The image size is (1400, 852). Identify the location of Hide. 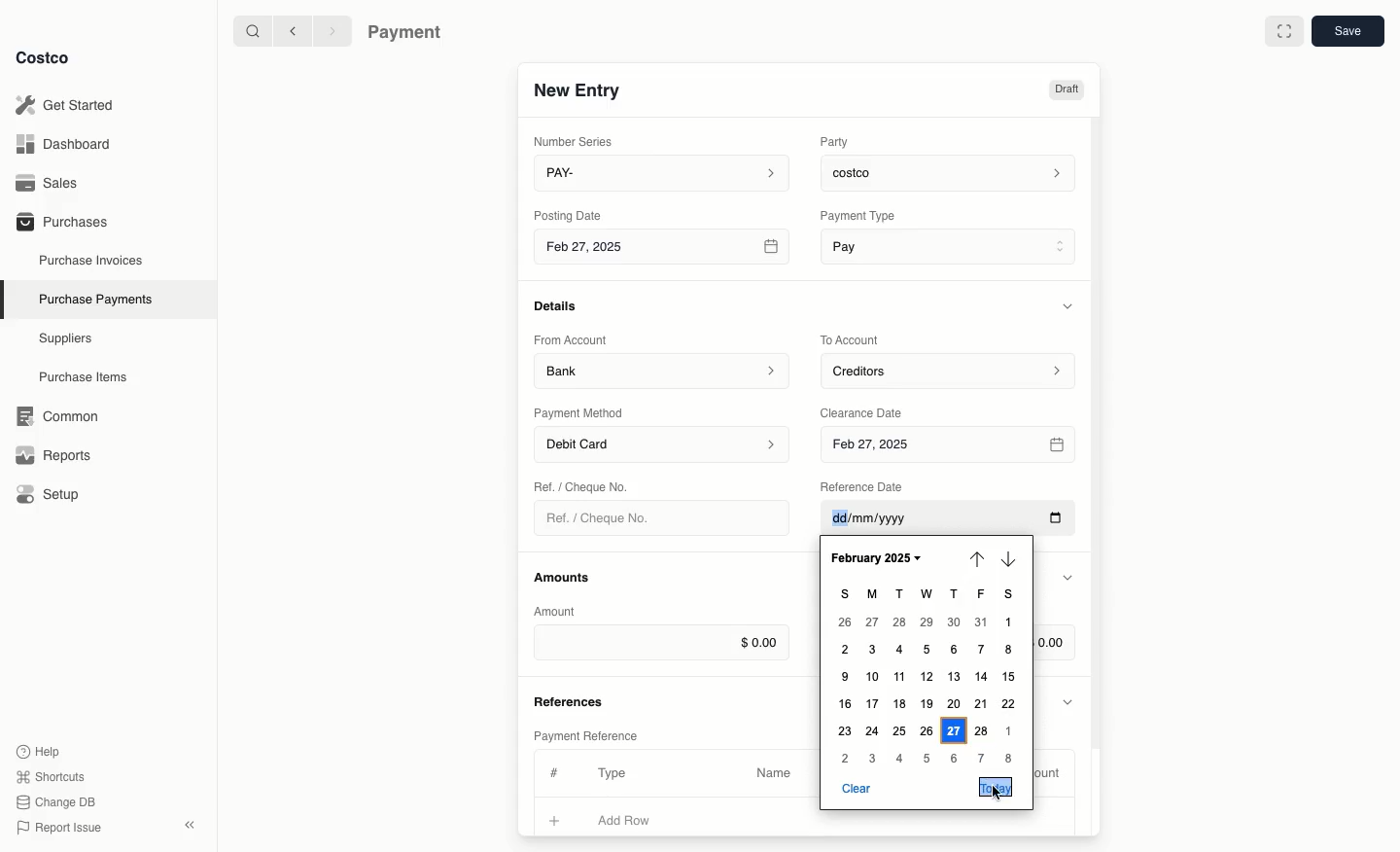
(1069, 700).